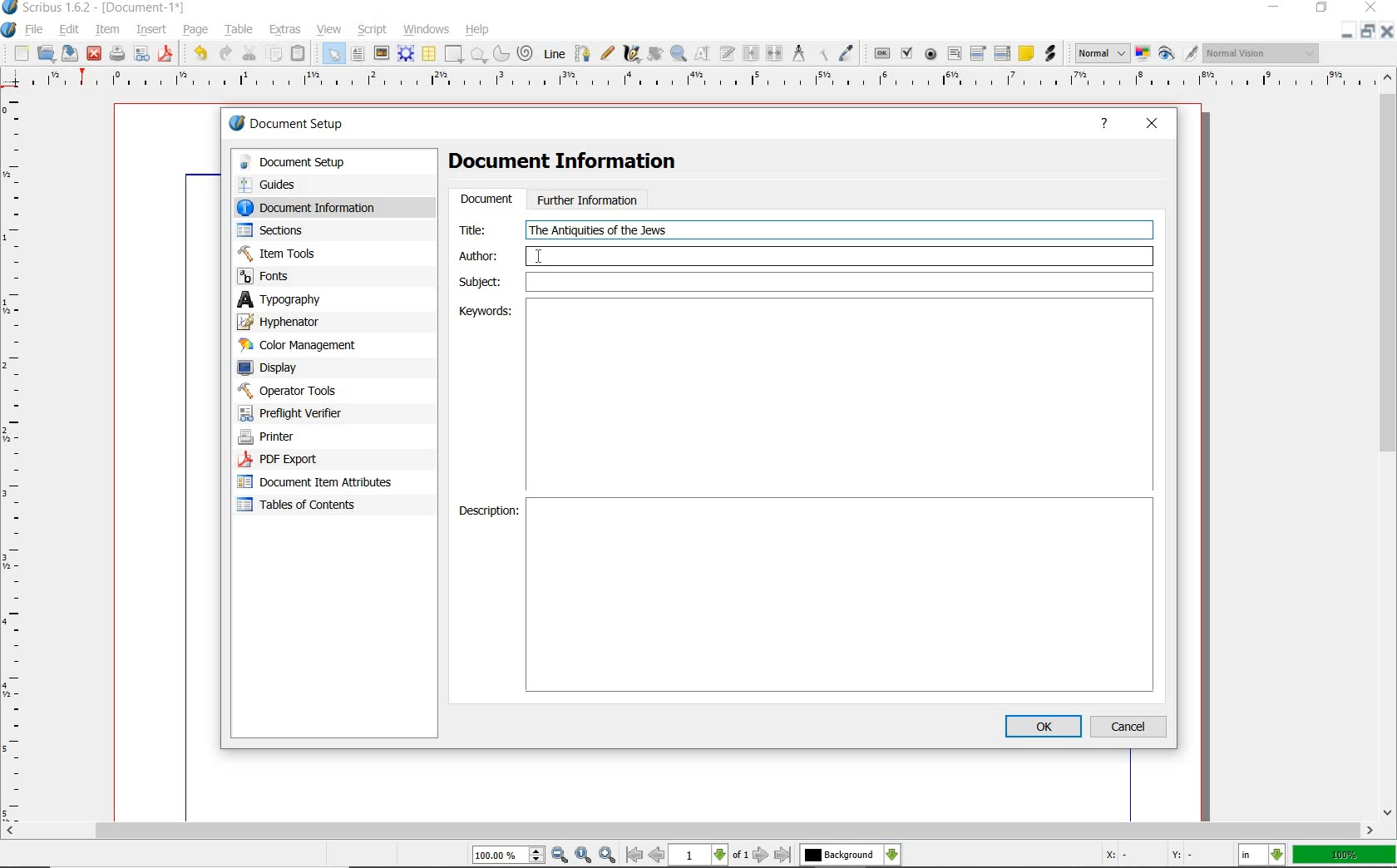 Image resolution: width=1397 pixels, height=868 pixels. What do you see at coordinates (655, 55) in the screenshot?
I see `rotate item` at bounding box center [655, 55].